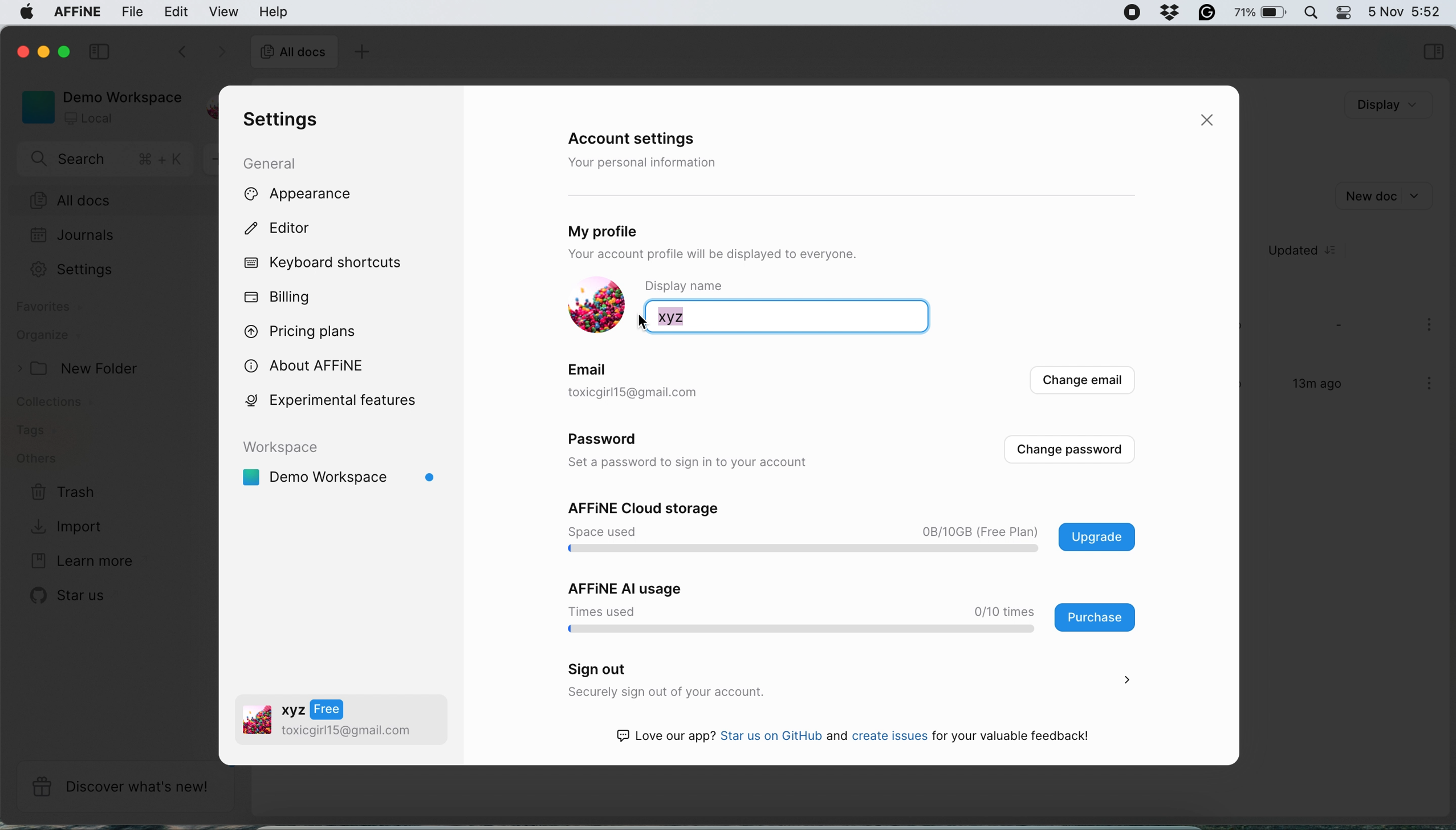 The height and width of the screenshot is (830, 1456). What do you see at coordinates (97, 106) in the screenshot?
I see `demo workspace` at bounding box center [97, 106].